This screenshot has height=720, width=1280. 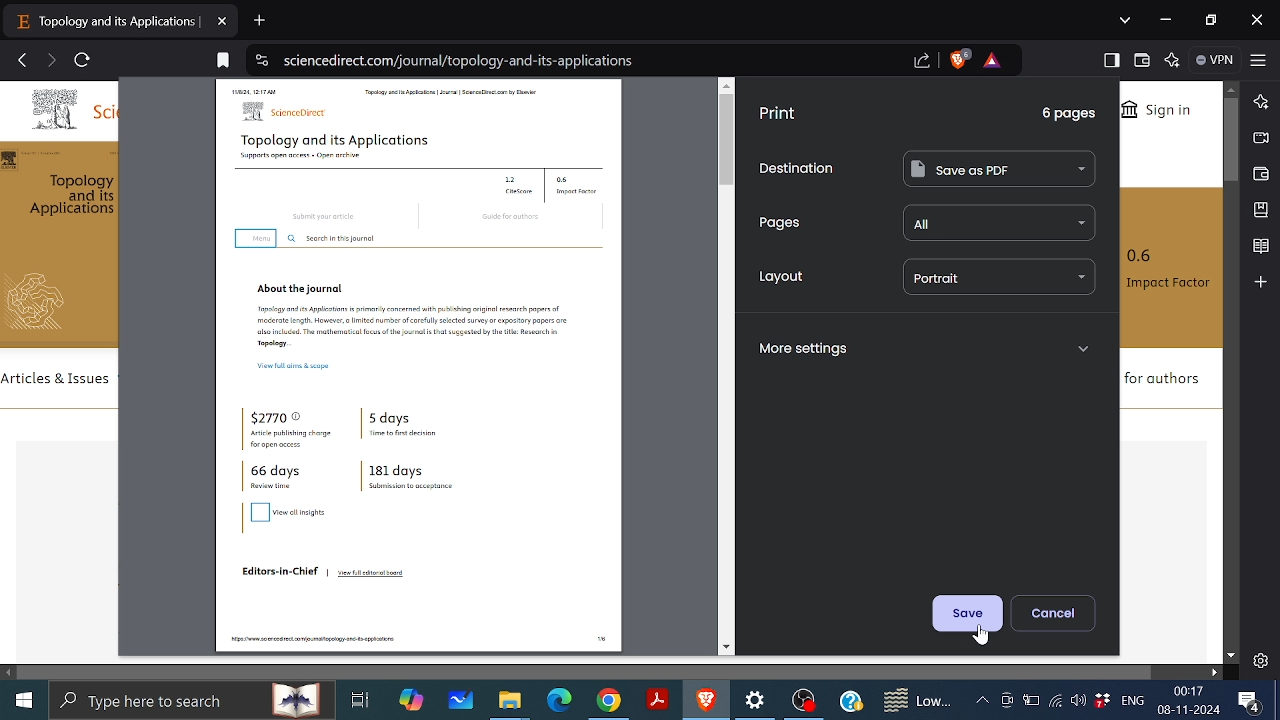 I want to click on menu, so click(x=258, y=238).